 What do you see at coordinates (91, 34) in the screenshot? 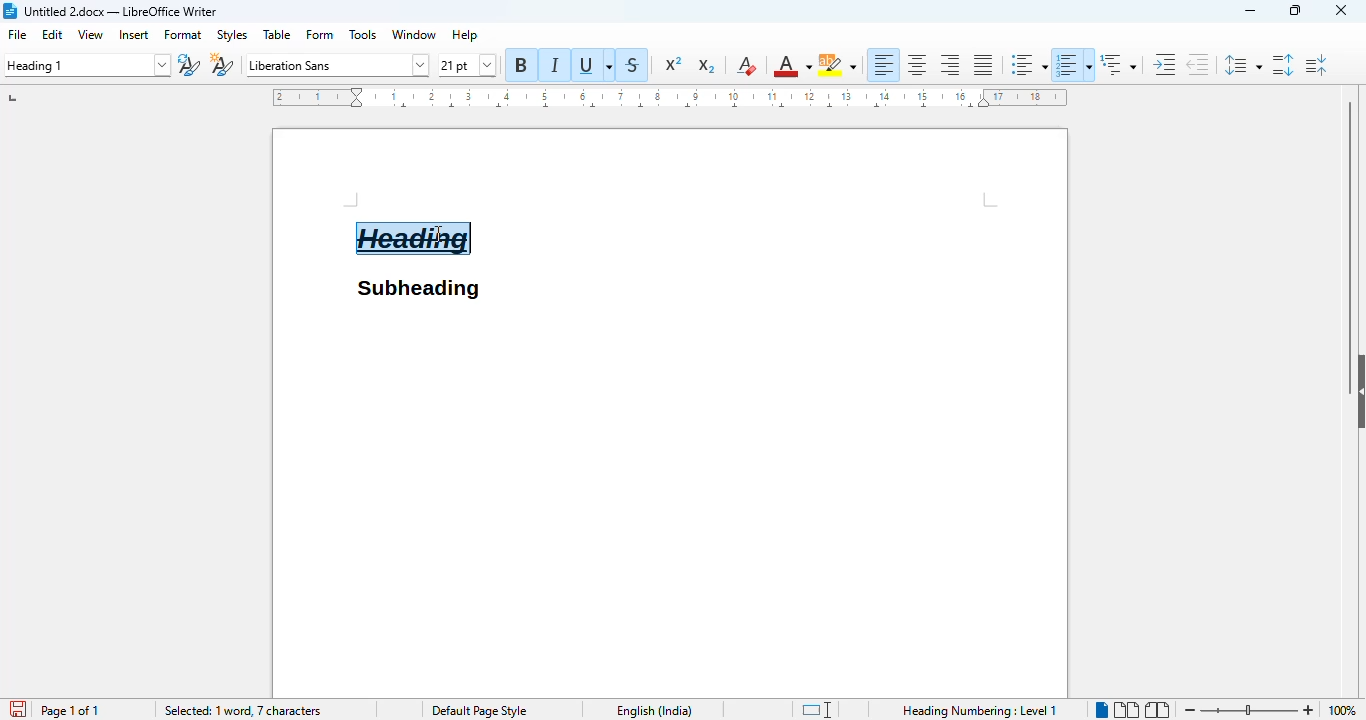
I see `view` at bounding box center [91, 34].